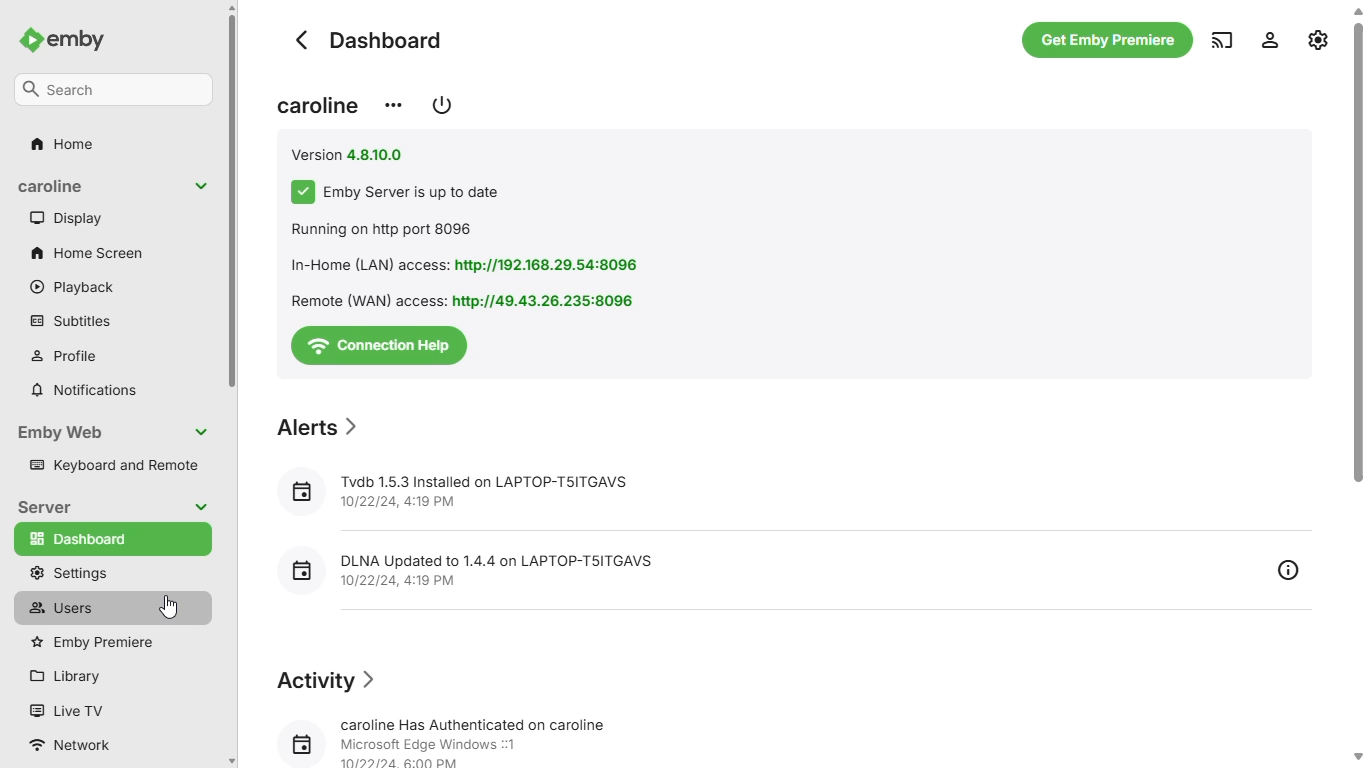  What do you see at coordinates (497, 559) in the screenshot?
I see `DLNA Updated to 1.4.4 on LAPTOP-T5ITGAVS` at bounding box center [497, 559].